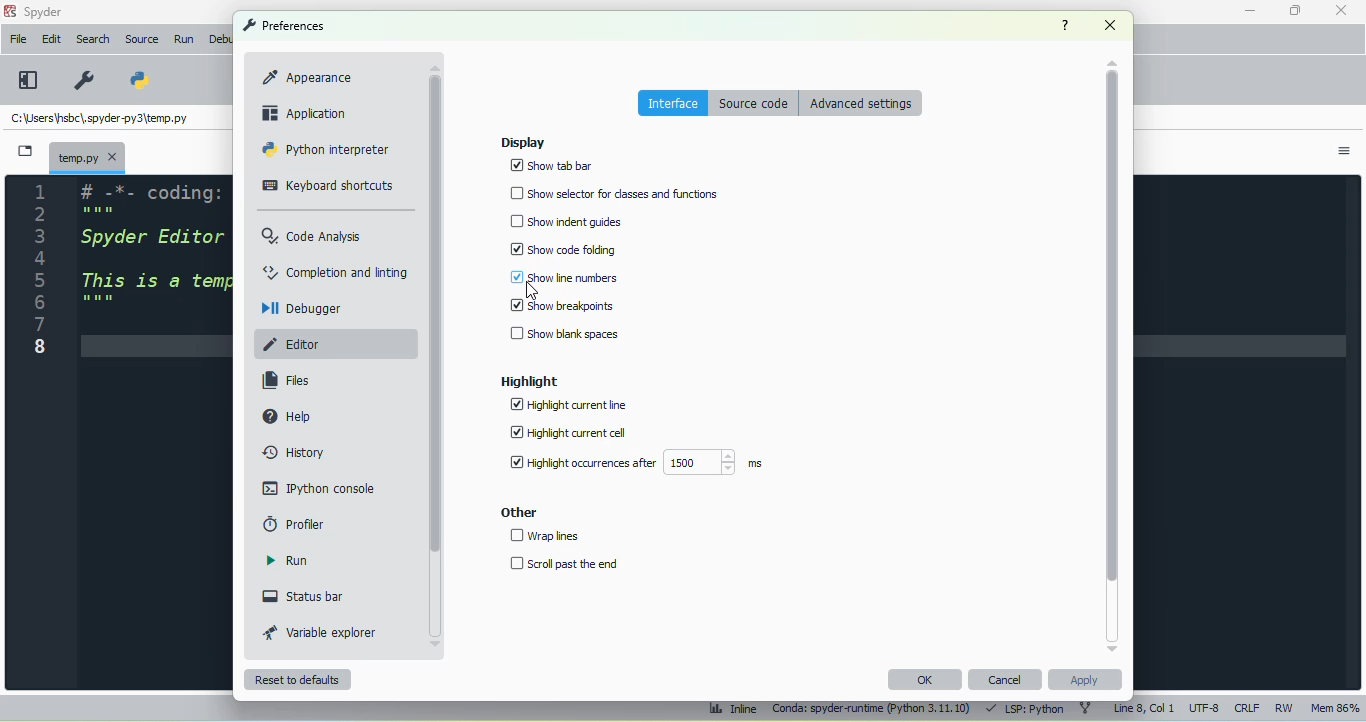  I want to click on profiler, so click(295, 522).